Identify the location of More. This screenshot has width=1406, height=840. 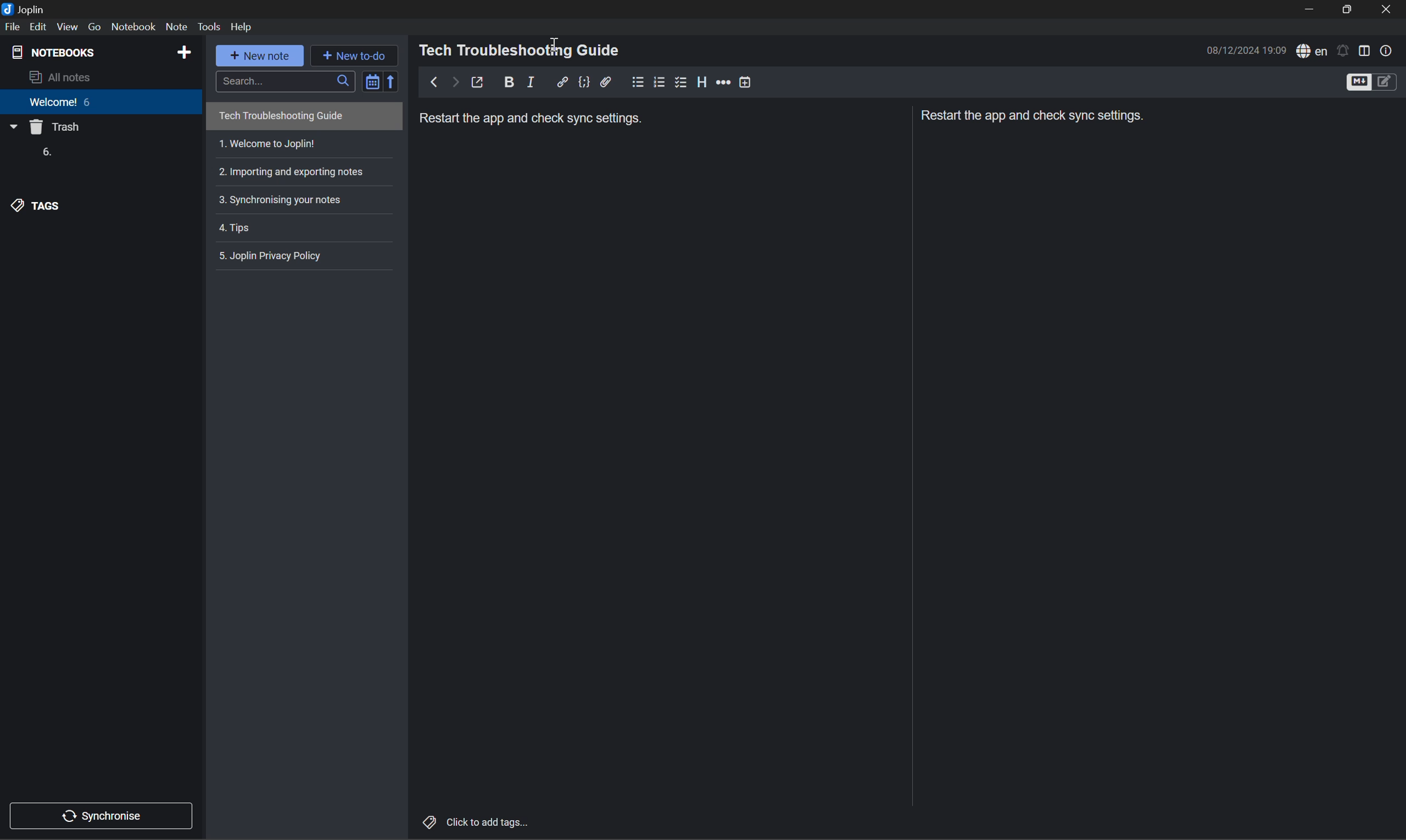
(723, 82).